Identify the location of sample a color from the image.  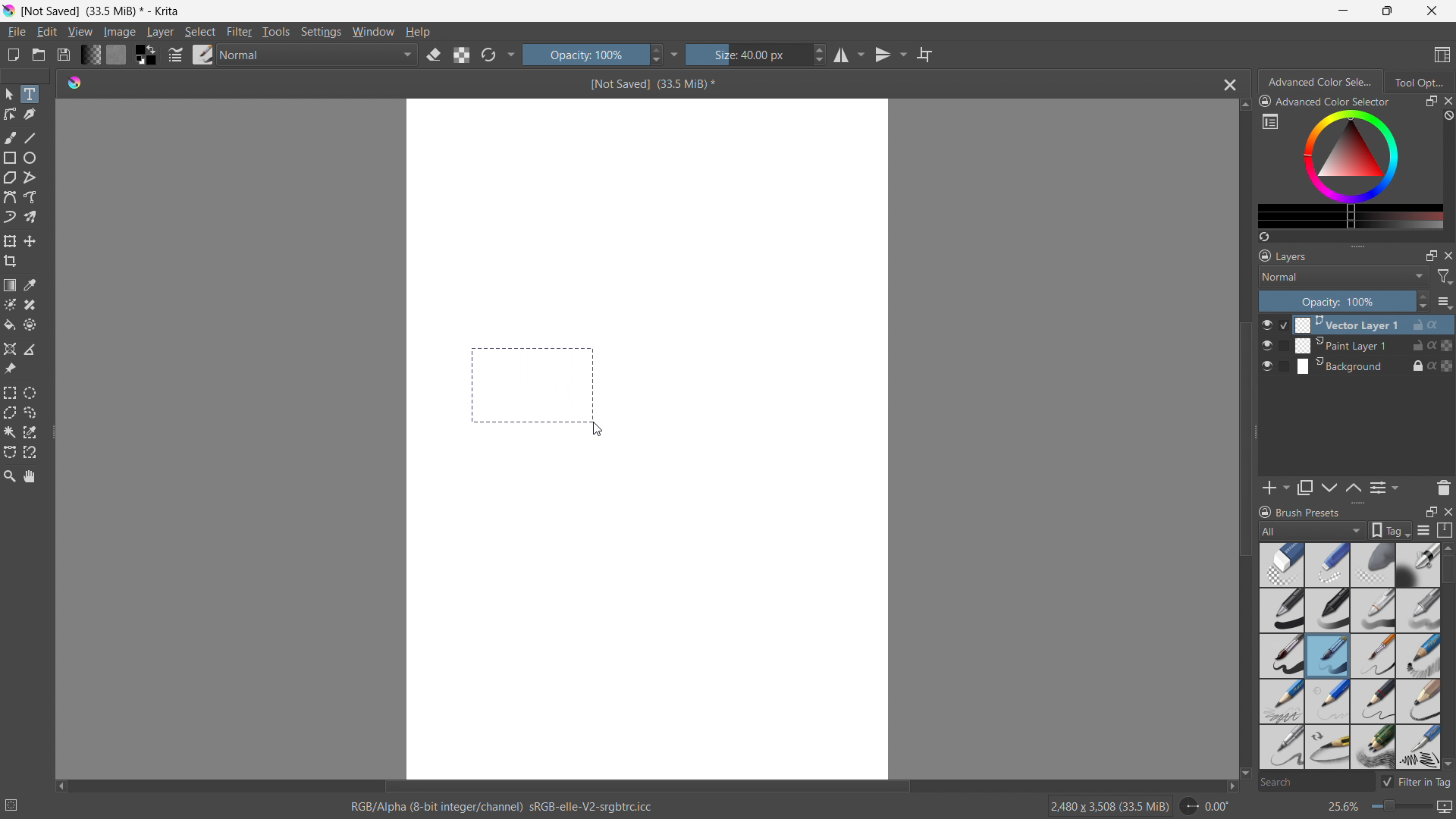
(30, 285).